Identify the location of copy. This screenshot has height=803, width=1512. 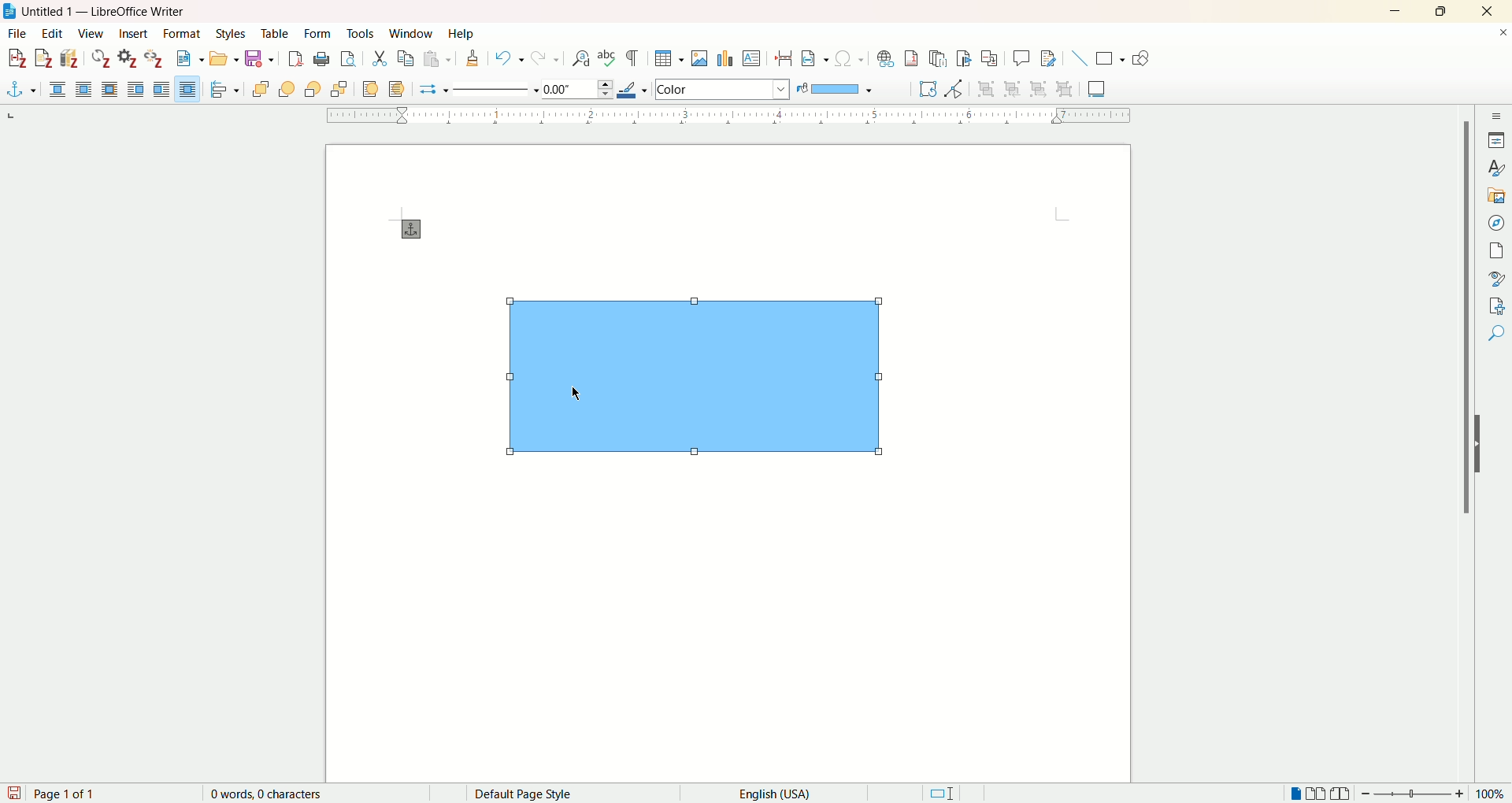
(406, 58).